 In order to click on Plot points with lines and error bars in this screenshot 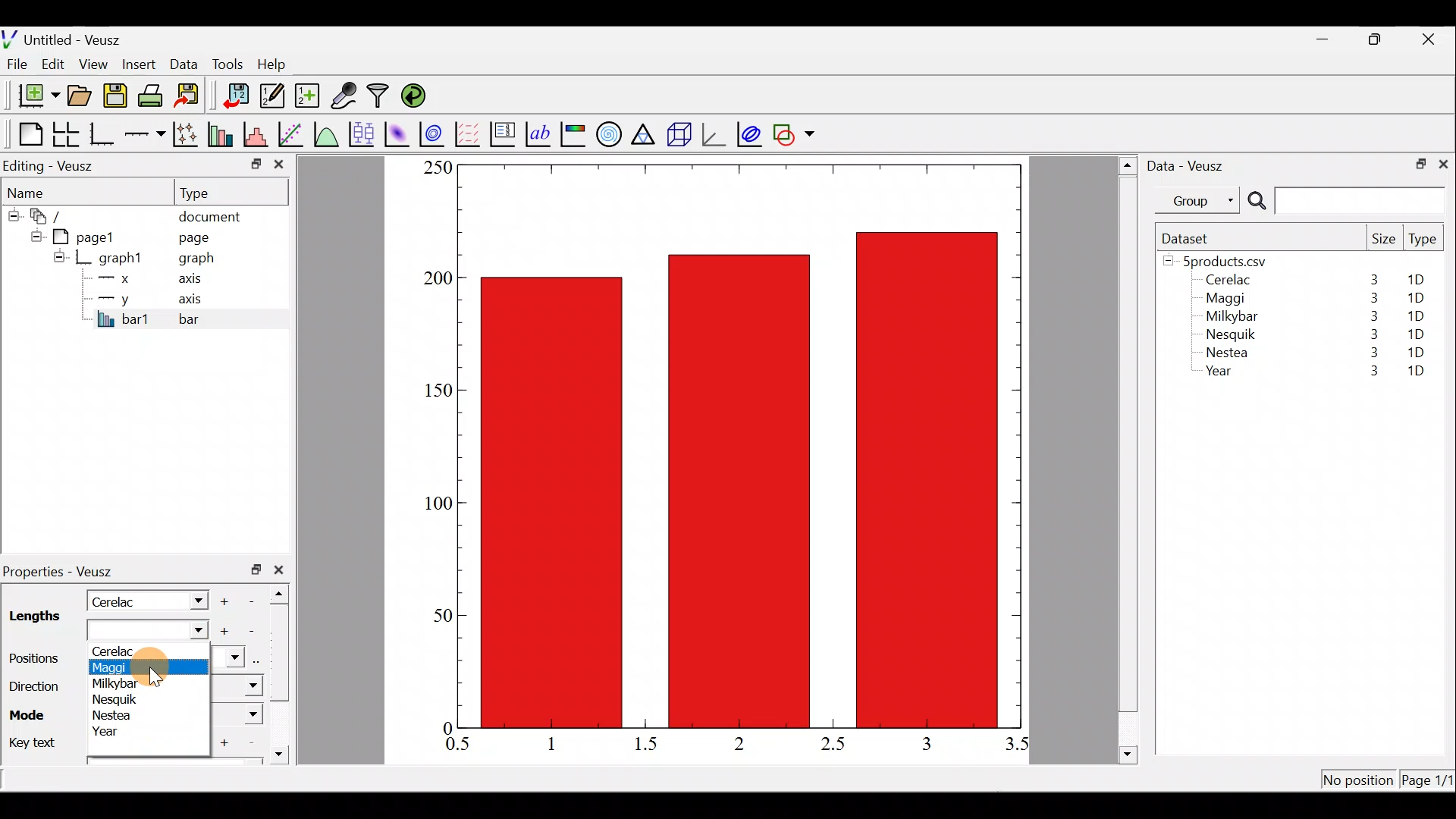, I will do `click(188, 135)`.